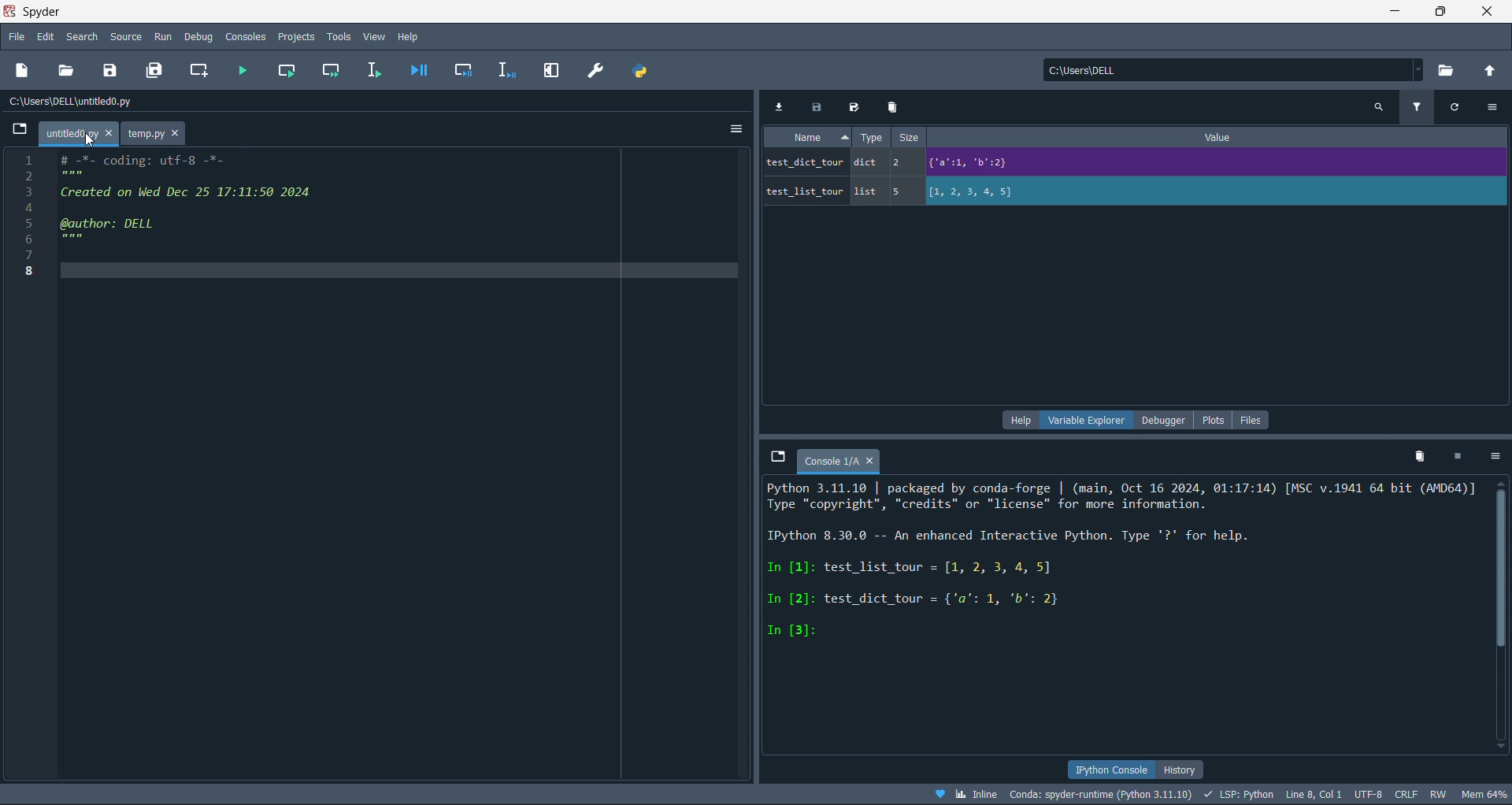 This screenshot has height=805, width=1512. Describe the element at coordinates (1462, 109) in the screenshot. I see `refresh` at that location.